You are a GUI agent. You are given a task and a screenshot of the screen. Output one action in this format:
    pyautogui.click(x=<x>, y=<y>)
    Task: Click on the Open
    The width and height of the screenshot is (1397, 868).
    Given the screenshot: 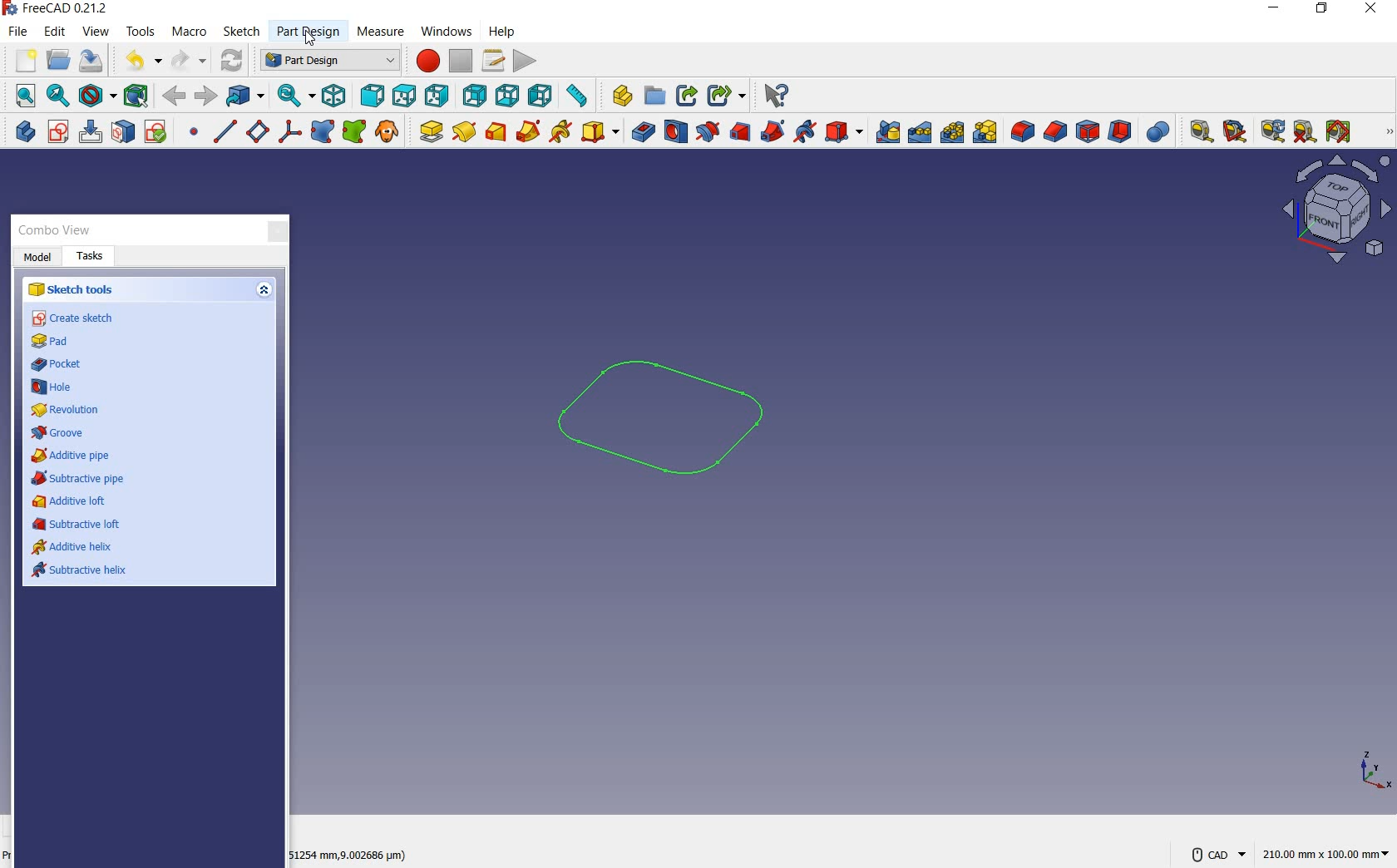 What is the action you would take?
    pyautogui.click(x=657, y=92)
    